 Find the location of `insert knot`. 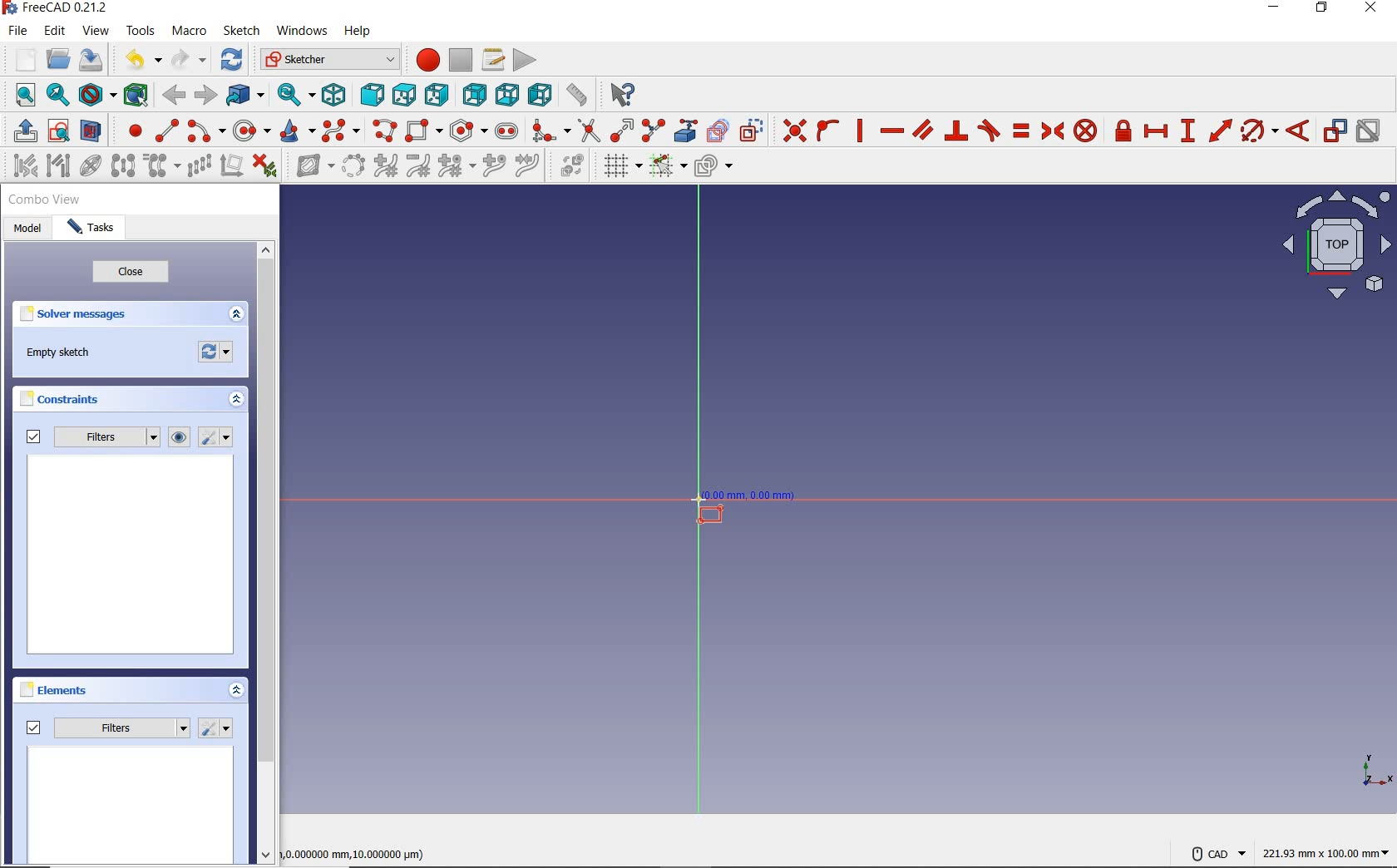

insert knot is located at coordinates (496, 168).